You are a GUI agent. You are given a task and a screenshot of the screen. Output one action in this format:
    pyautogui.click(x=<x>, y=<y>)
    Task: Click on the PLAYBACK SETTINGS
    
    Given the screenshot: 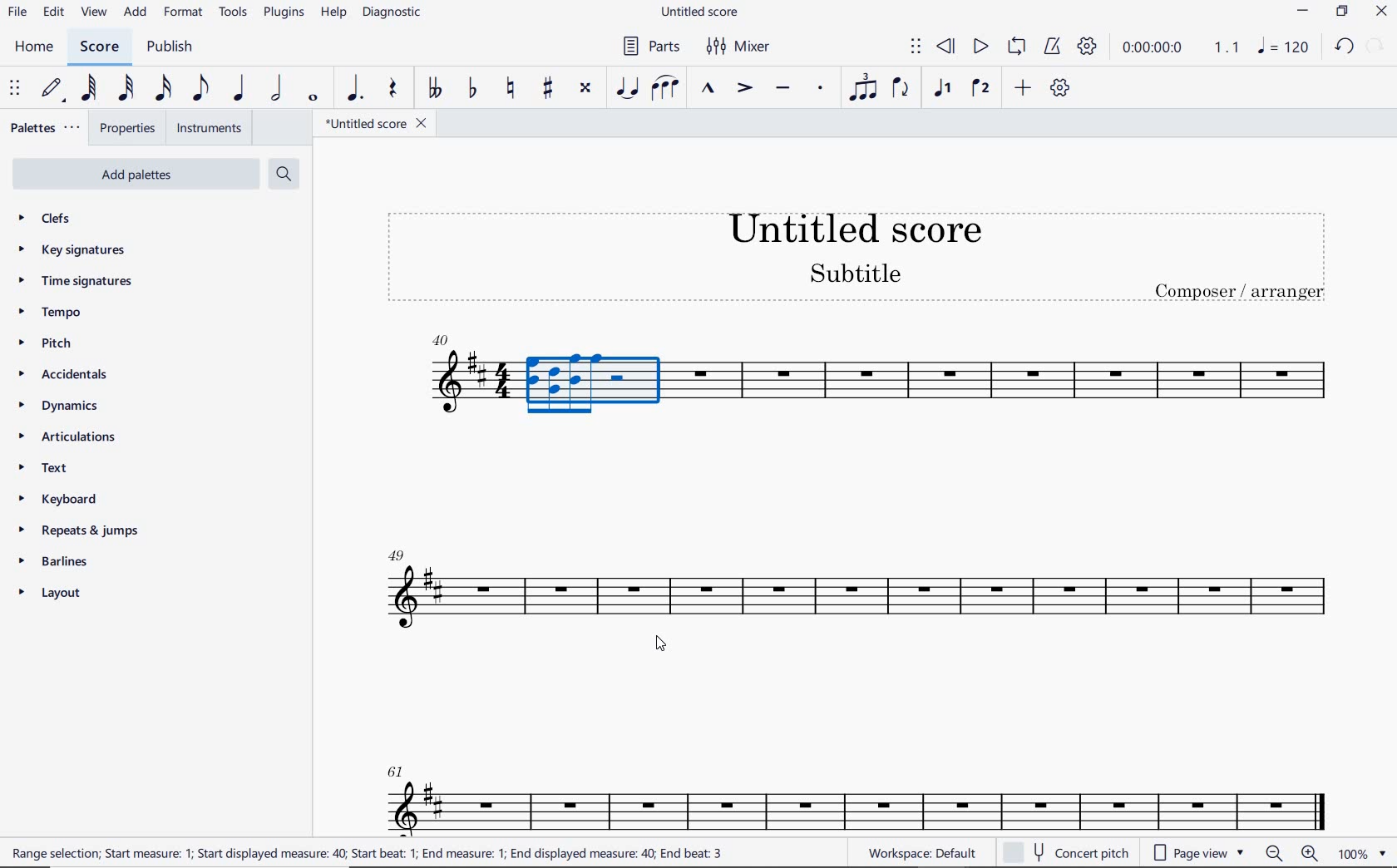 What is the action you would take?
    pyautogui.click(x=1087, y=47)
    